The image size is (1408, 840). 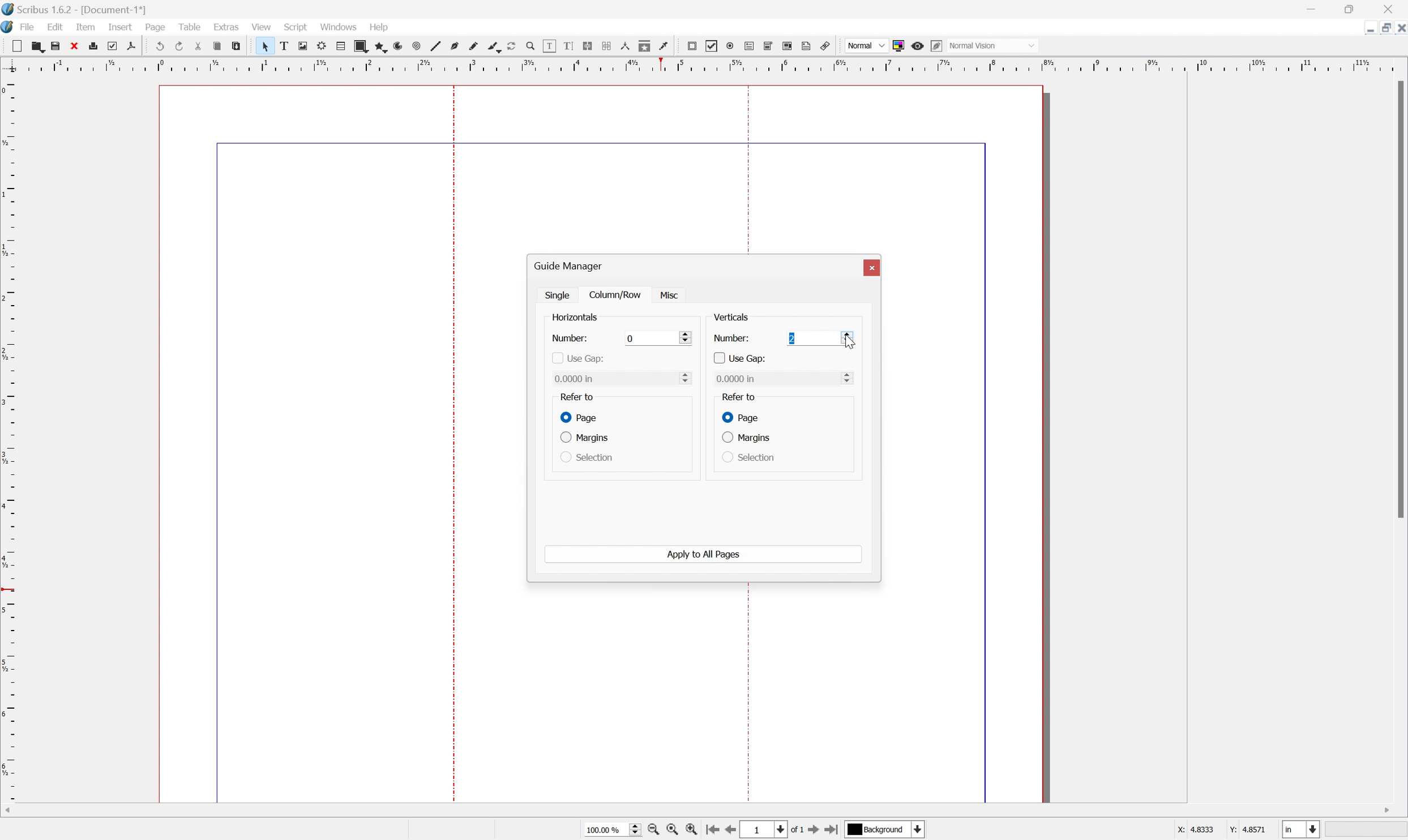 What do you see at coordinates (825, 46) in the screenshot?
I see `link annotation` at bounding box center [825, 46].